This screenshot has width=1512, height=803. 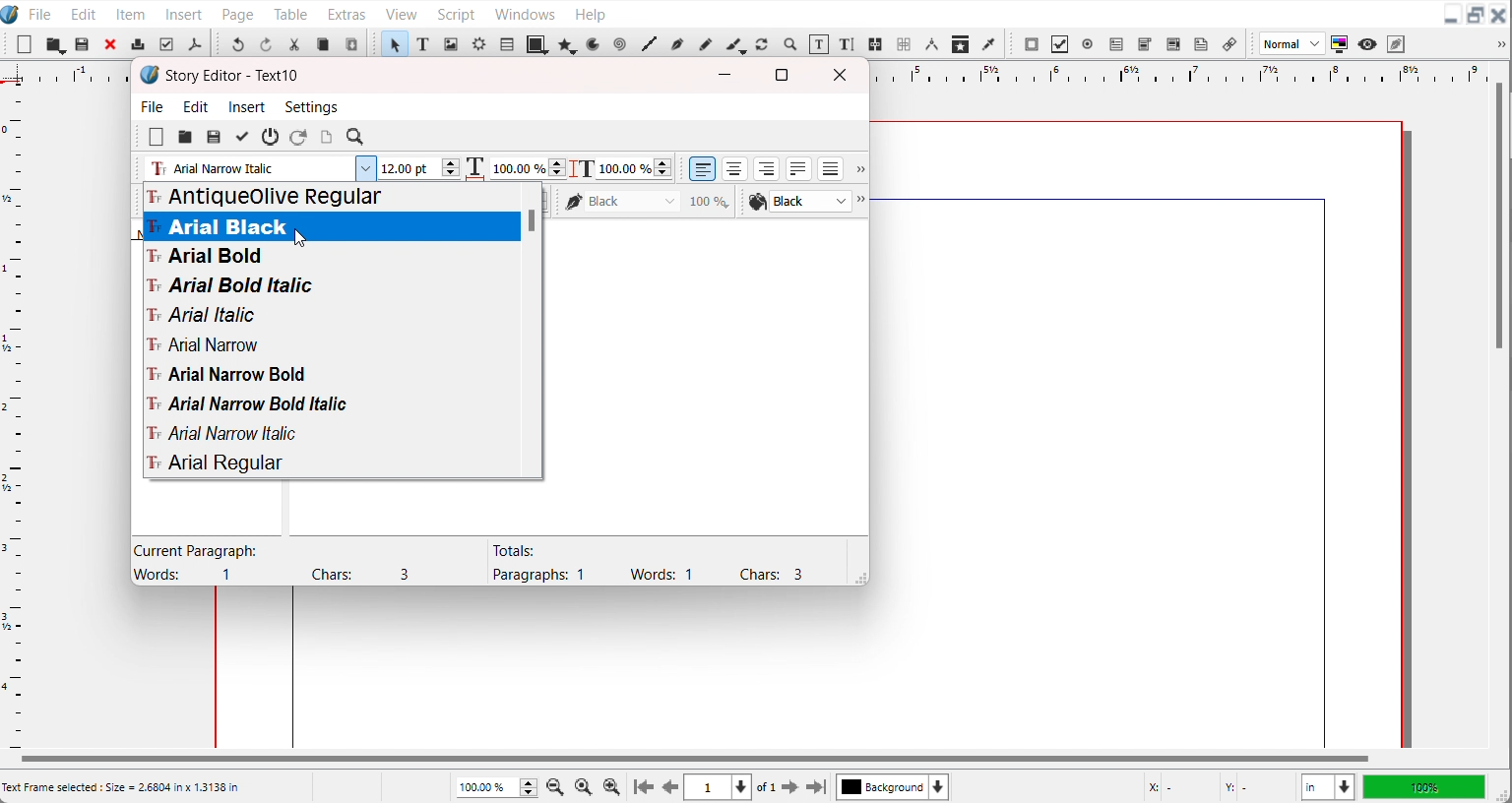 What do you see at coordinates (331, 314) in the screenshot?
I see `Font` at bounding box center [331, 314].